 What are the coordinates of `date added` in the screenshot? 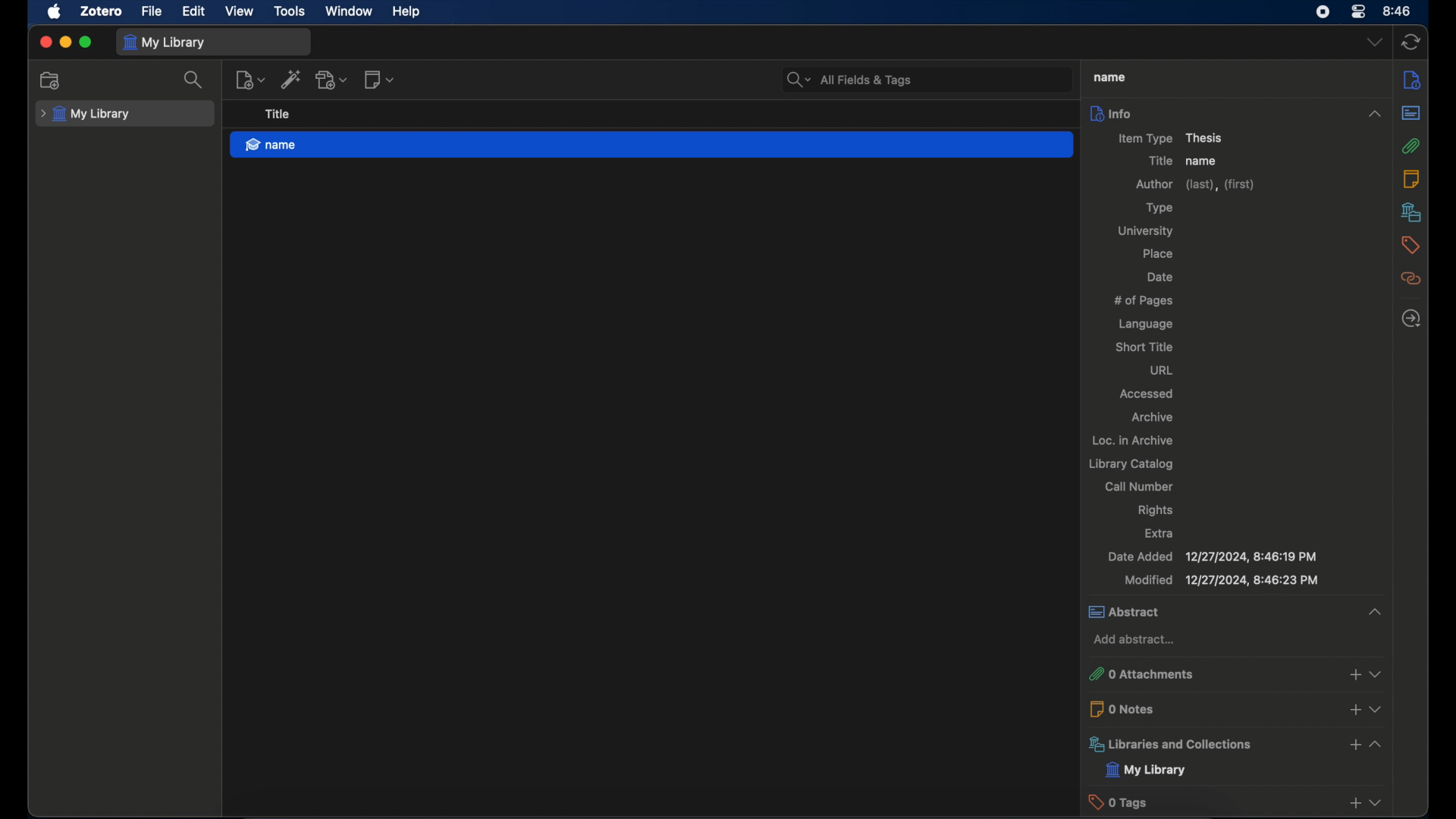 It's located at (1212, 557).